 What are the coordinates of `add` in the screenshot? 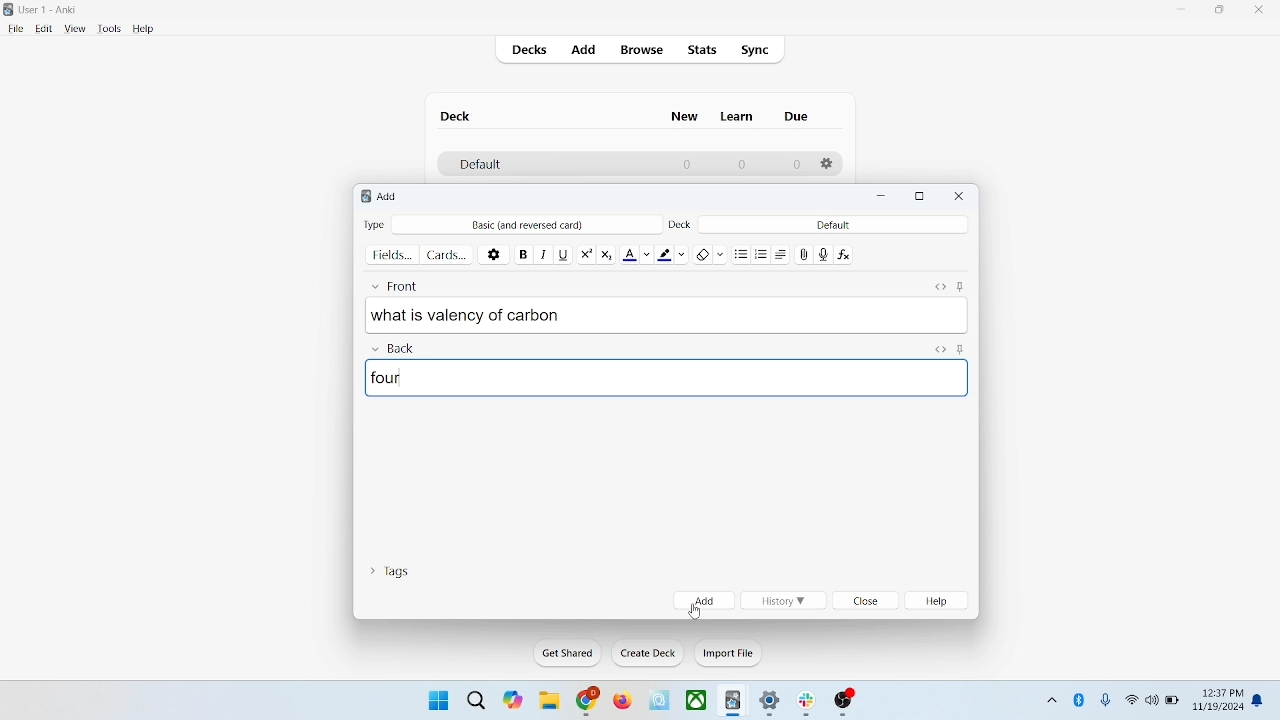 It's located at (585, 51).